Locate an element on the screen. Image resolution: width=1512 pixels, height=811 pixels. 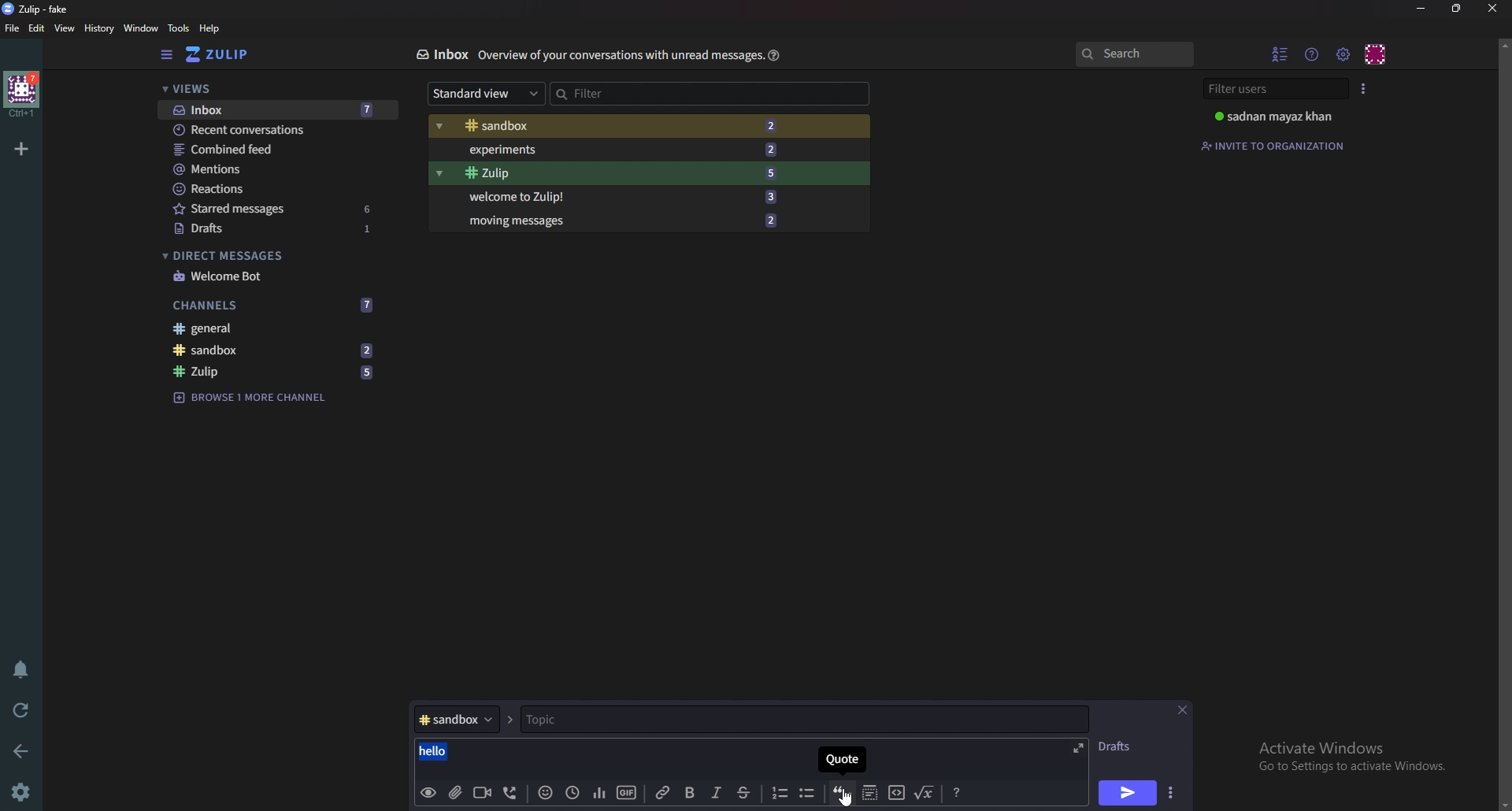
File is located at coordinates (13, 28).